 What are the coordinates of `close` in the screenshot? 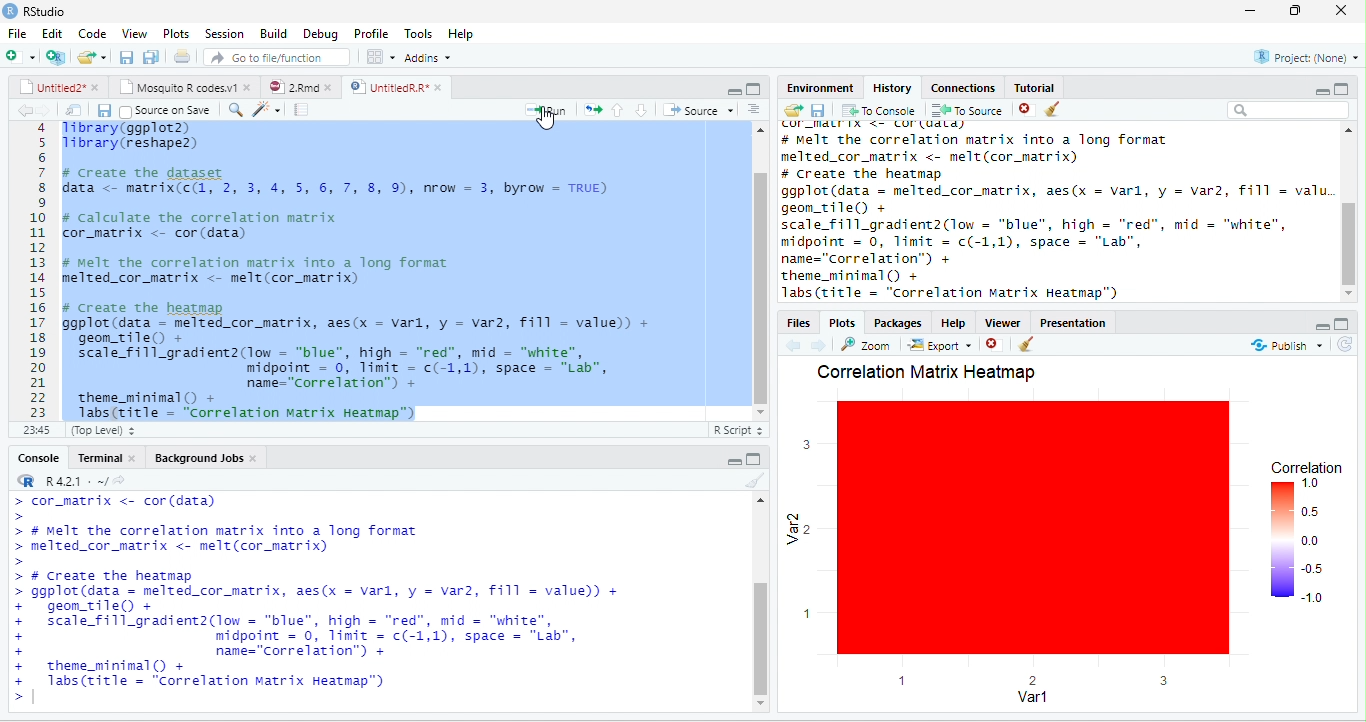 It's located at (1021, 110).